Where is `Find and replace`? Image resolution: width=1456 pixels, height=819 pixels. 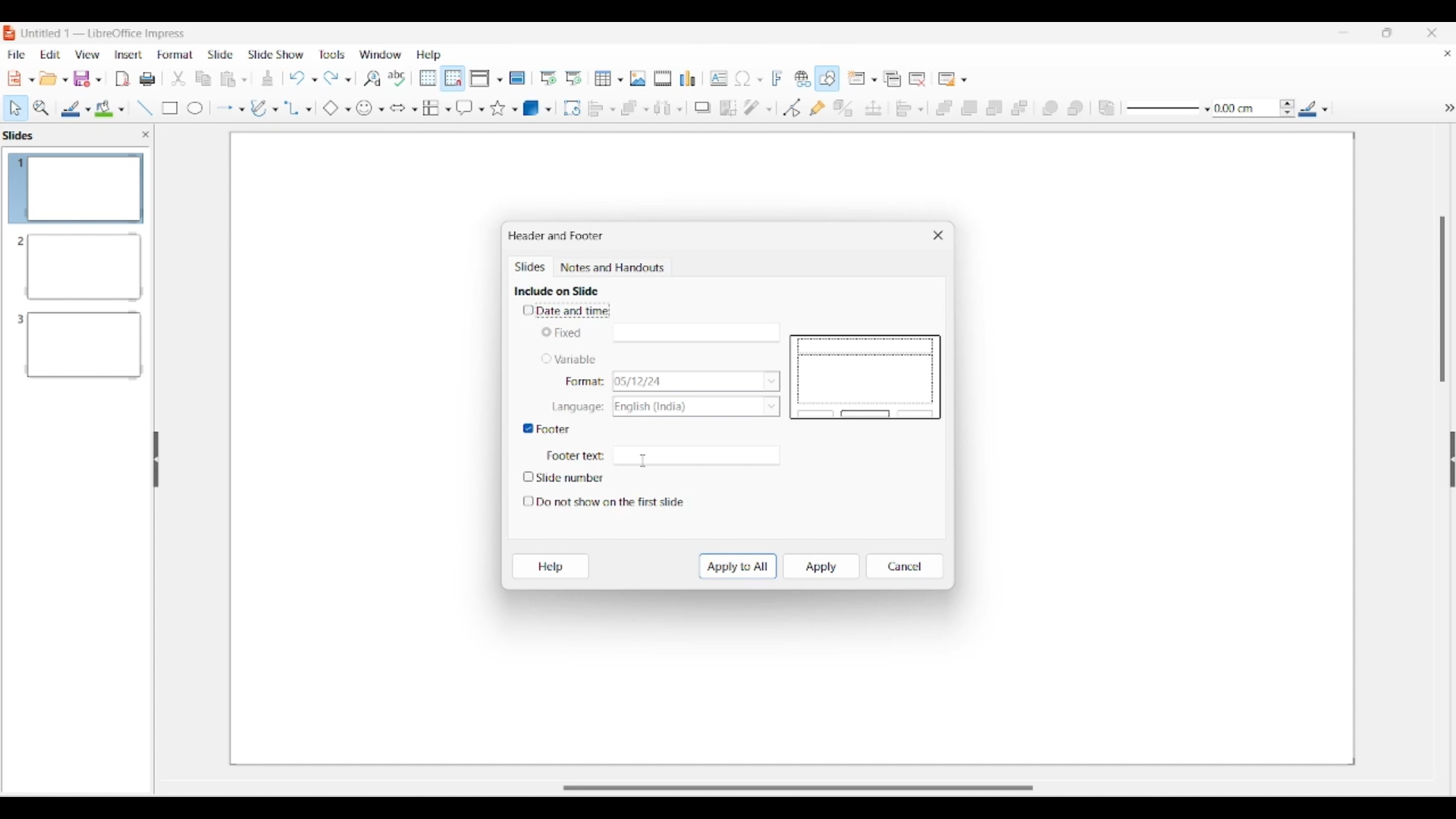
Find and replace is located at coordinates (372, 78).